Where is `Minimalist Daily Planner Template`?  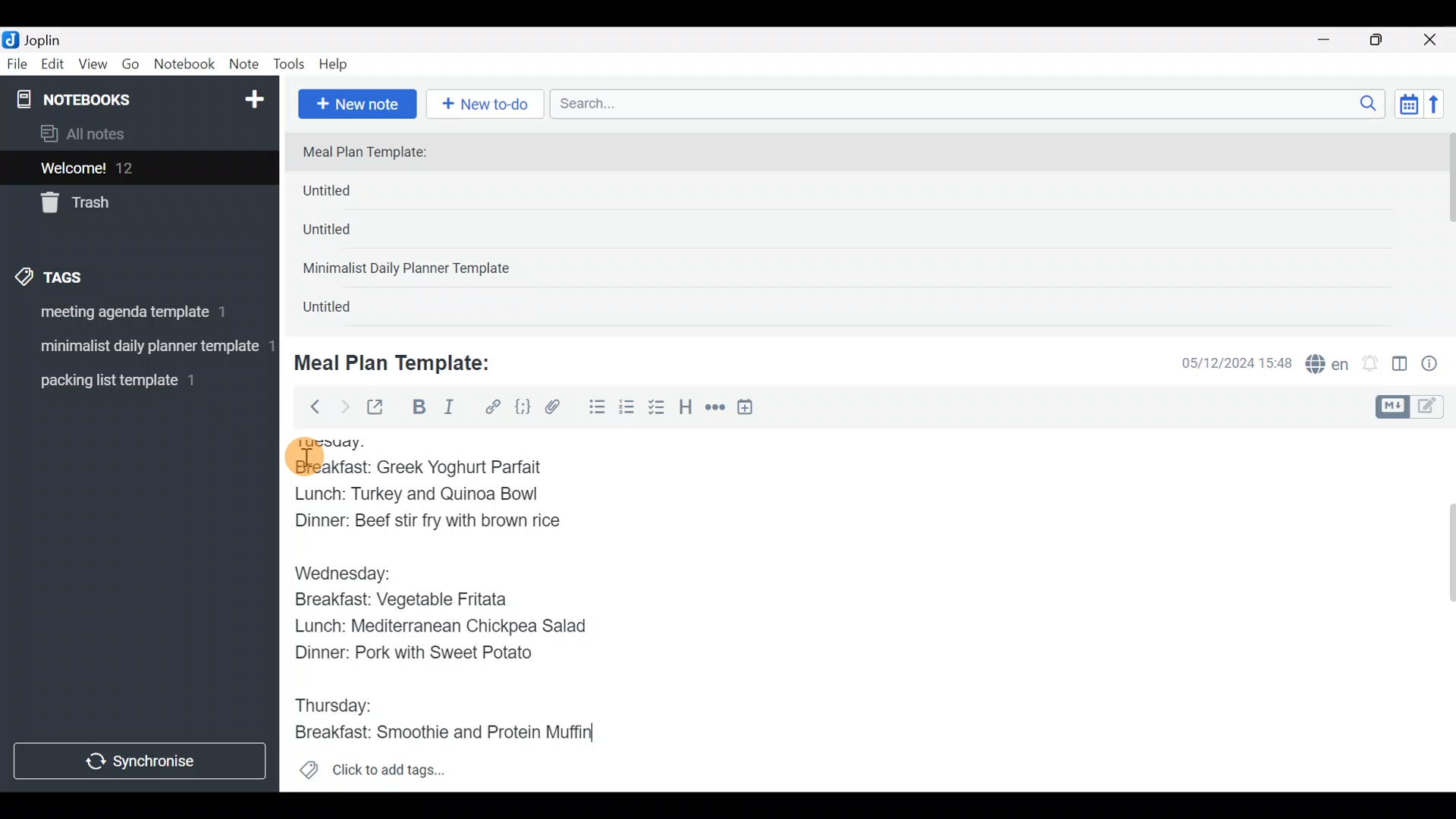
Minimalist Daily Planner Template is located at coordinates (411, 270).